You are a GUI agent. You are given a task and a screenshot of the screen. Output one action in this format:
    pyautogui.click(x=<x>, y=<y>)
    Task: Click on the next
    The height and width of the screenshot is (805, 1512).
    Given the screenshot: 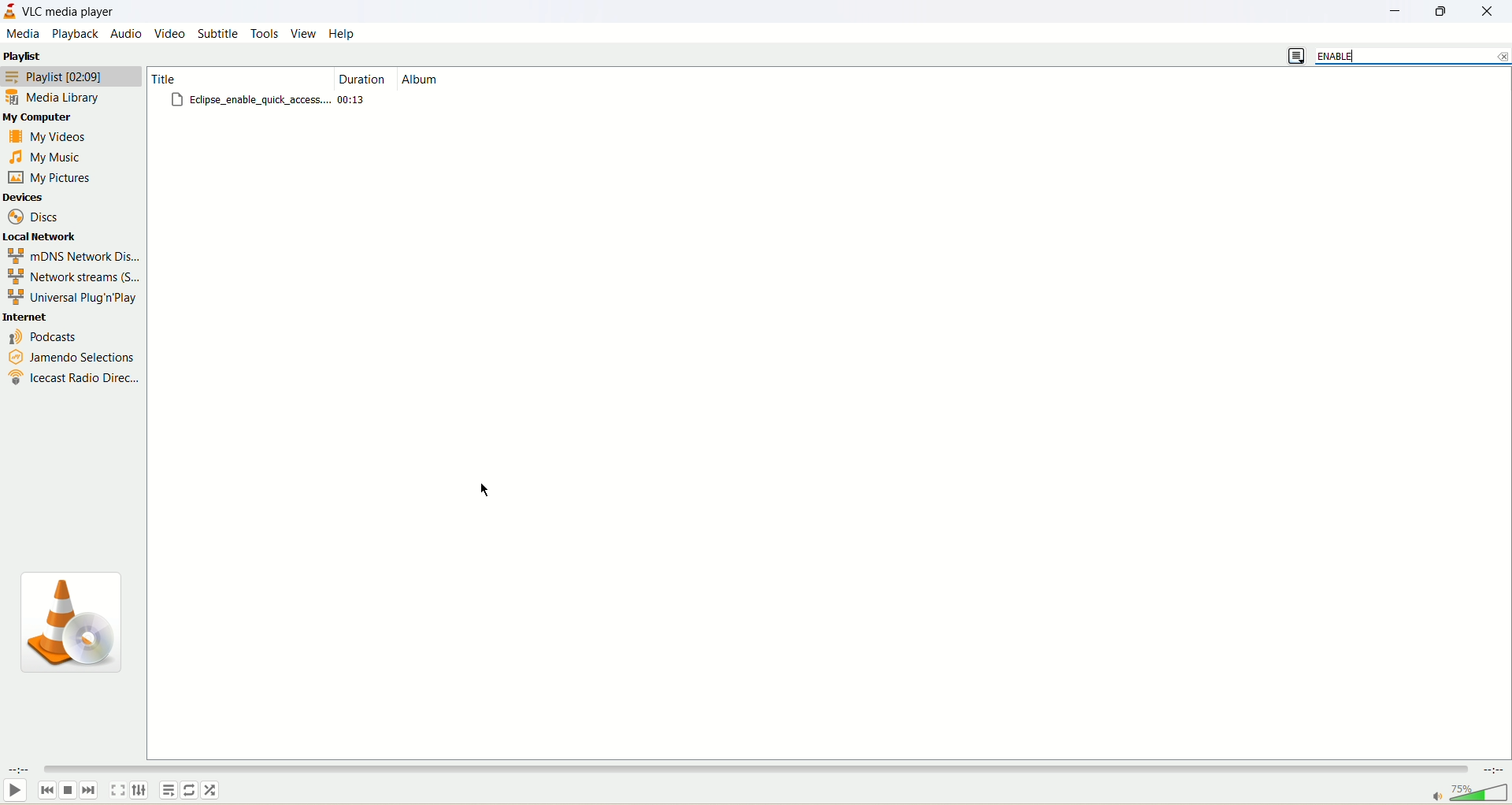 What is the action you would take?
    pyautogui.click(x=91, y=790)
    